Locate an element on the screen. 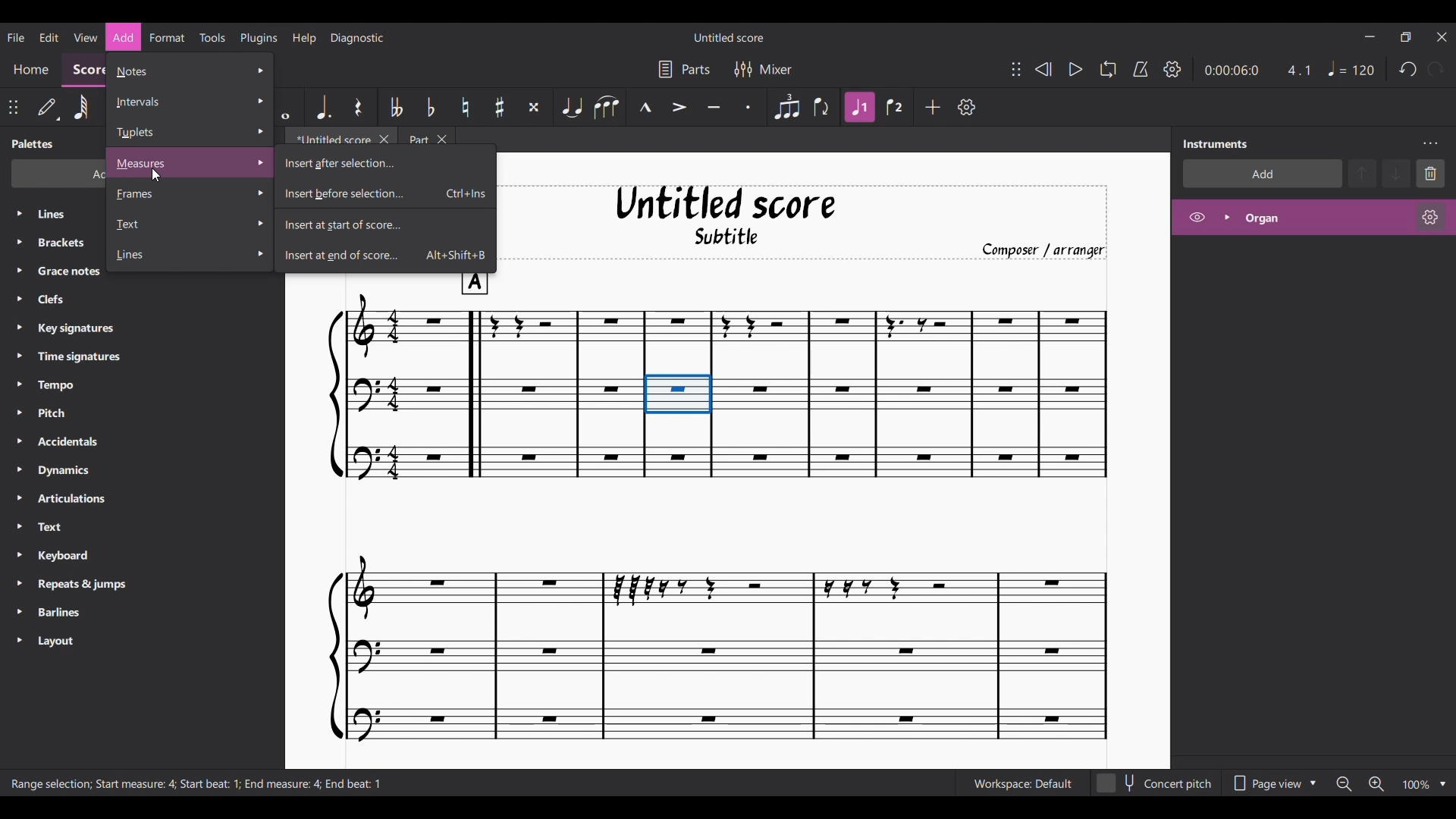 The image size is (1456, 819). Minimize is located at coordinates (1370, 36).